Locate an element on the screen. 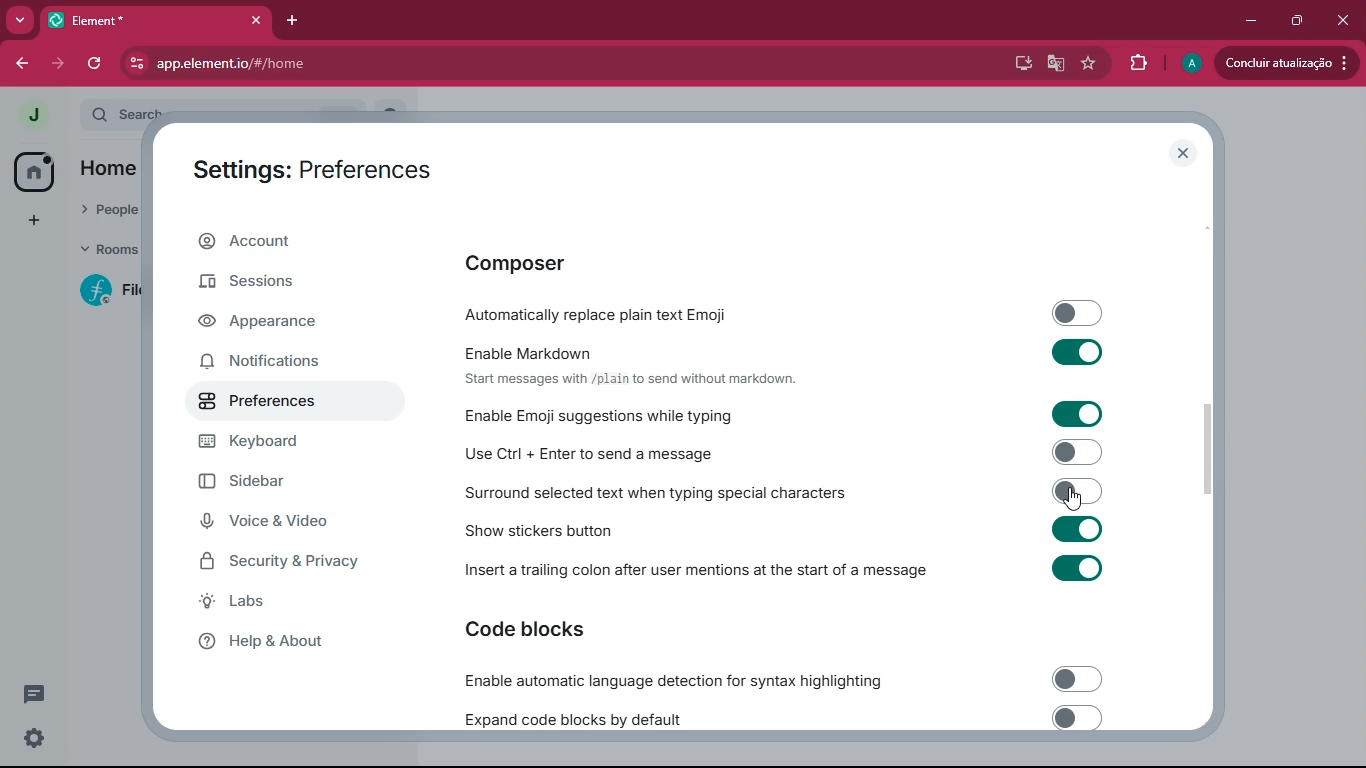  Enable Emoji suggestions while typing is located at coordinates (793, 412).